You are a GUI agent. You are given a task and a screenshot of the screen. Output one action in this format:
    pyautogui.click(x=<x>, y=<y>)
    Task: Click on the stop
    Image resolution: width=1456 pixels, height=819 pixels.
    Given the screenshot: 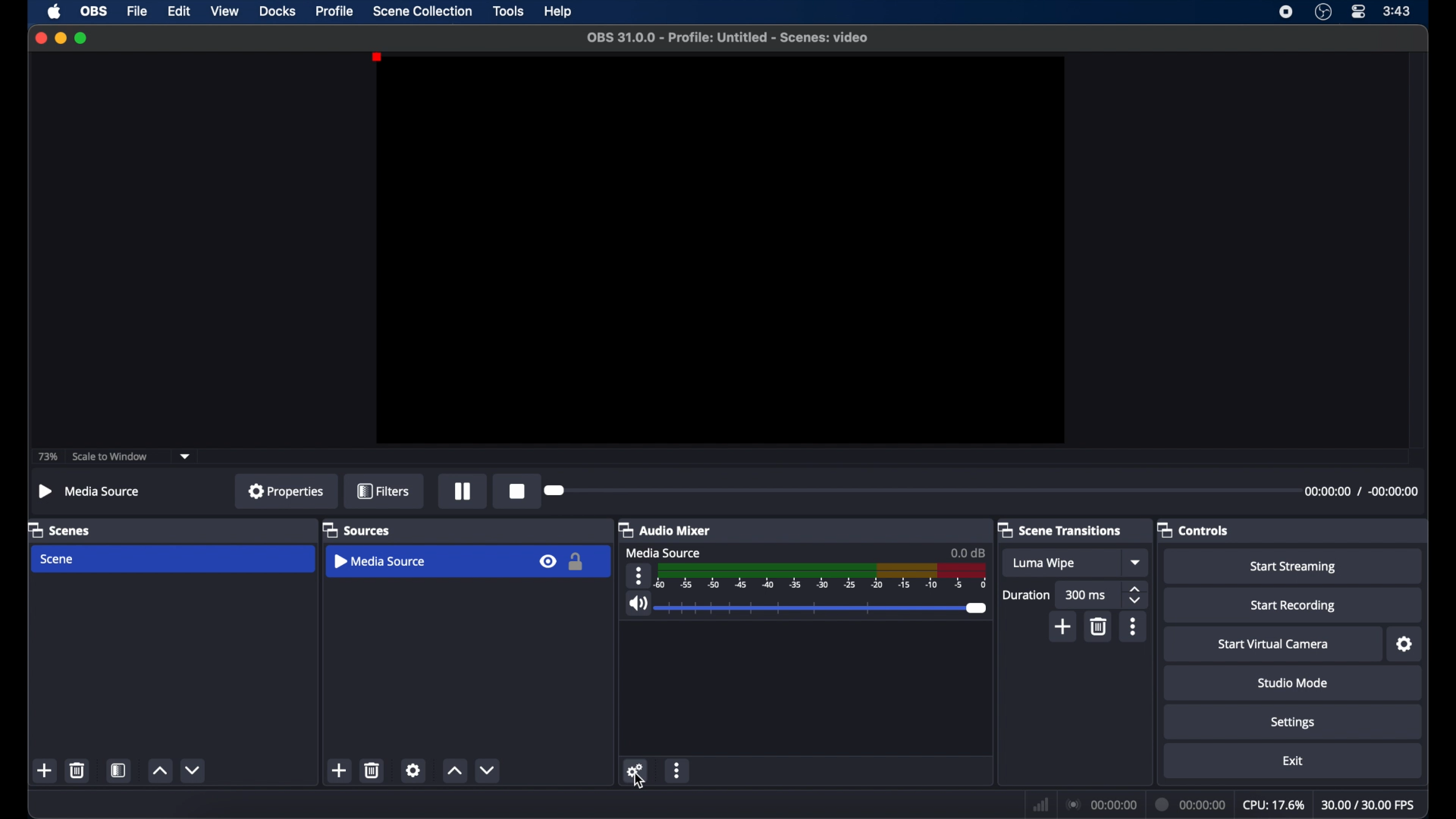 What is the action you would take?
    pyautogui.click(x=516, y=491)
    